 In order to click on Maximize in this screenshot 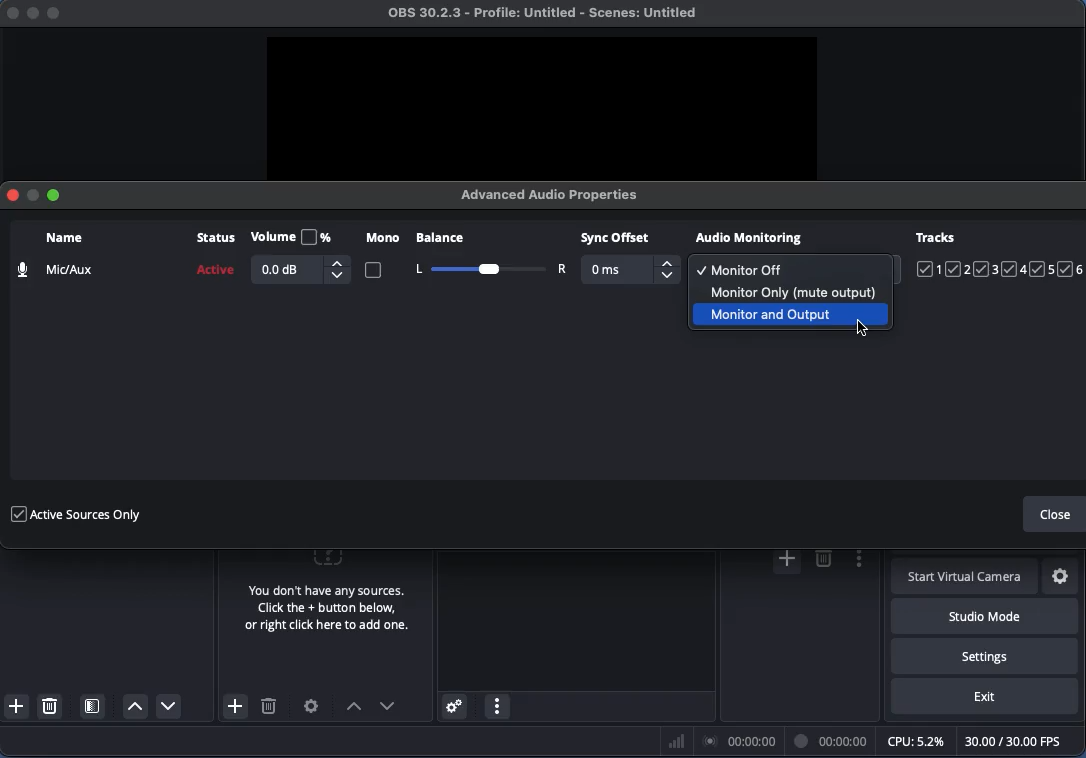, I will do `click(57, 194)`.